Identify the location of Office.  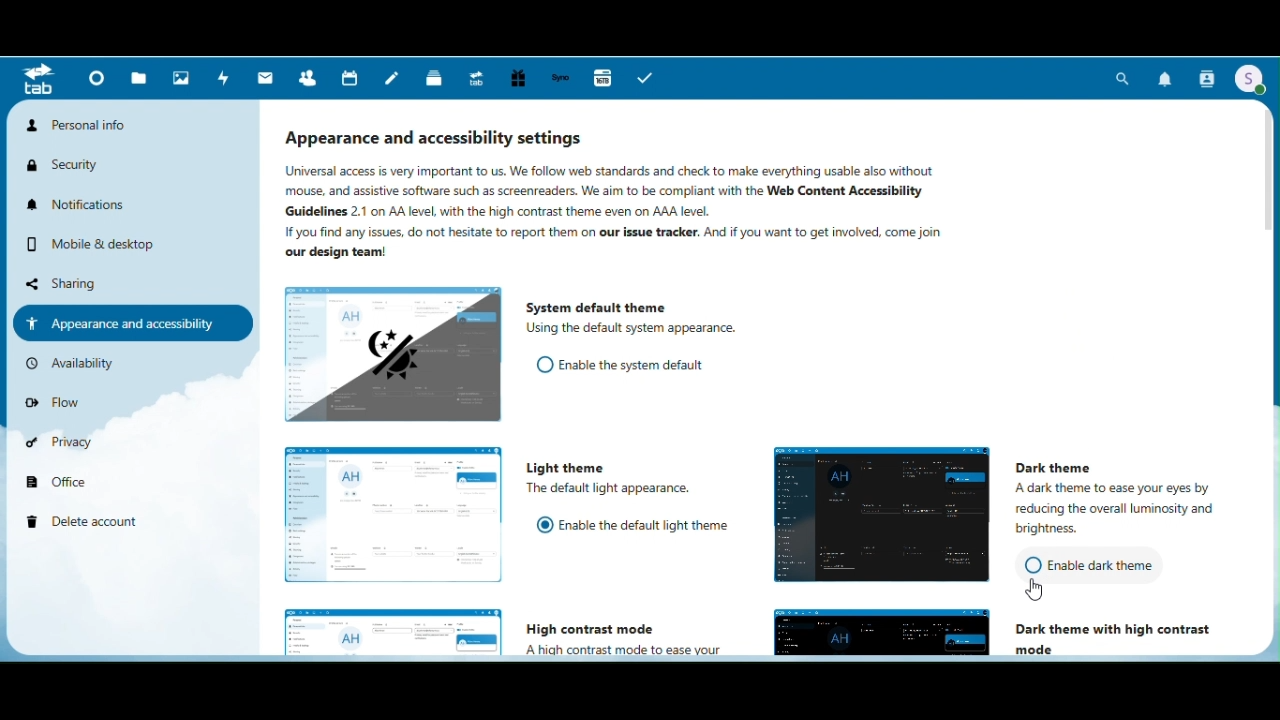
(82, 481).